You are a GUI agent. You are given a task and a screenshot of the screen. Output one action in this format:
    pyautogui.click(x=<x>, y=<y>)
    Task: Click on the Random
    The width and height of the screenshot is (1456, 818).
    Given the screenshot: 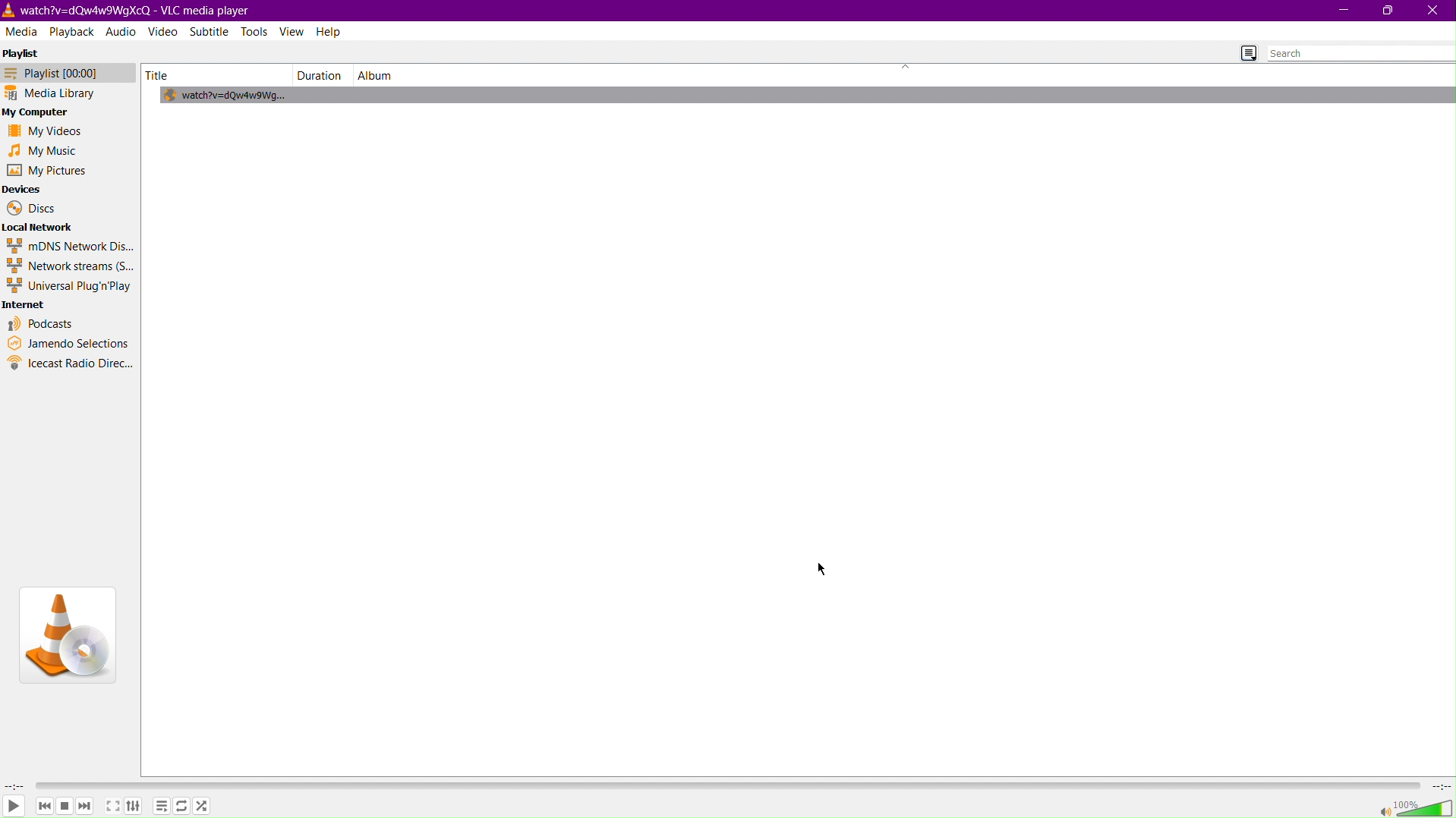 What is the action you would take?
    pyautogui.click(x=206, y=807)
    